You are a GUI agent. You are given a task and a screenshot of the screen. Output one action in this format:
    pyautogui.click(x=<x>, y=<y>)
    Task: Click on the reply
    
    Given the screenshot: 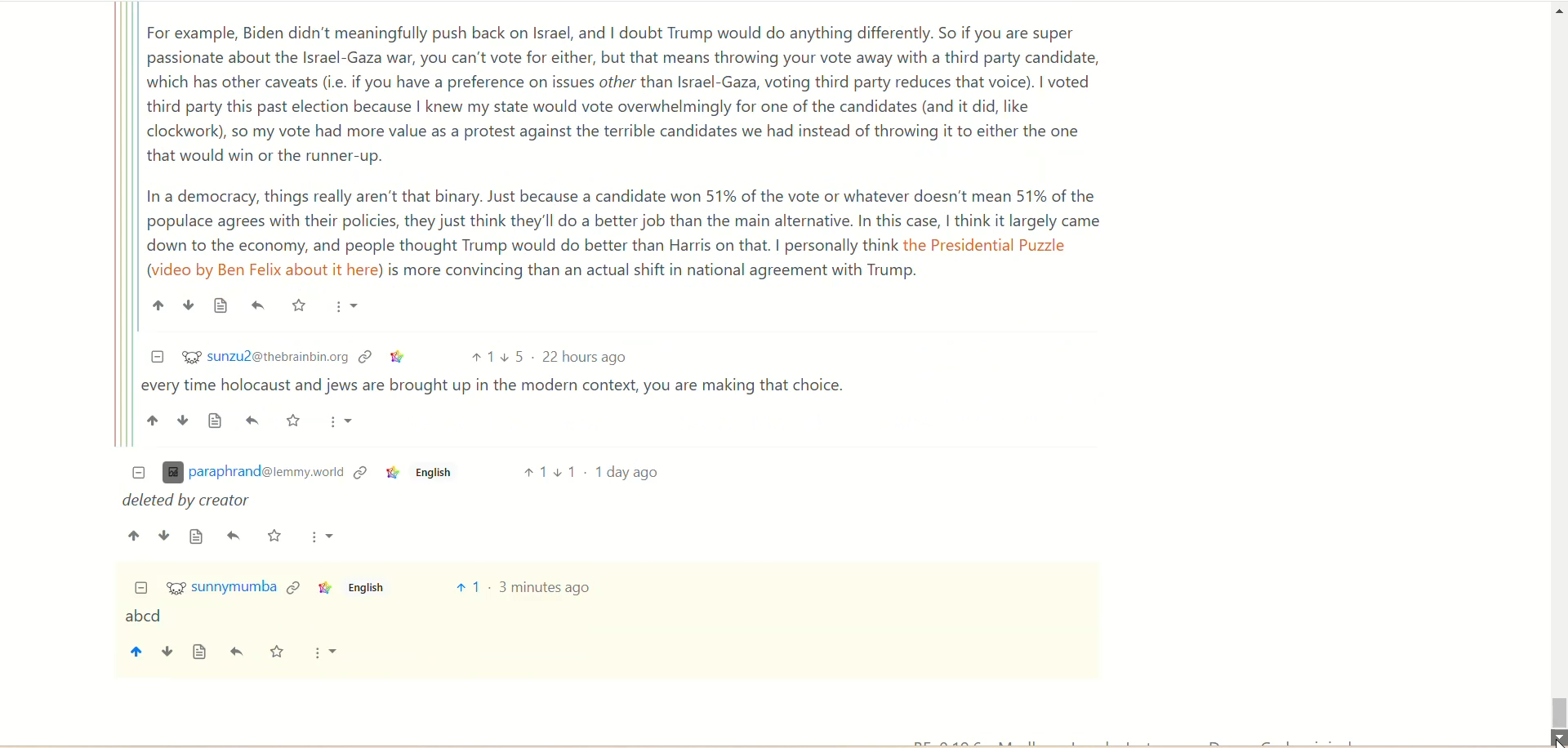 What is the action you would take?
    pyautogui.click(x=238, y=651)
    